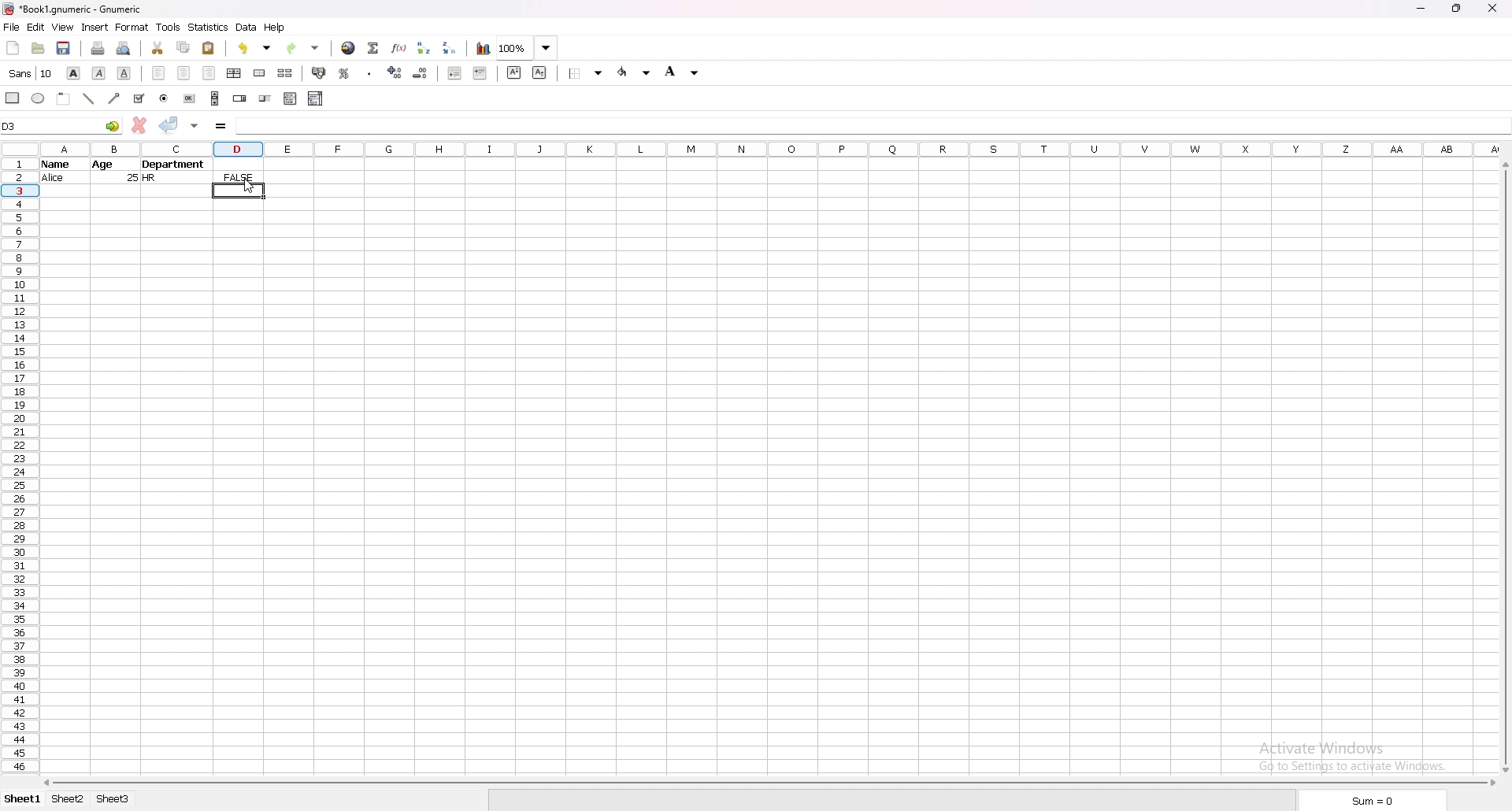  Describe the element at coordinates (318, 72) in the screenshot. I see `accounting` at that location.